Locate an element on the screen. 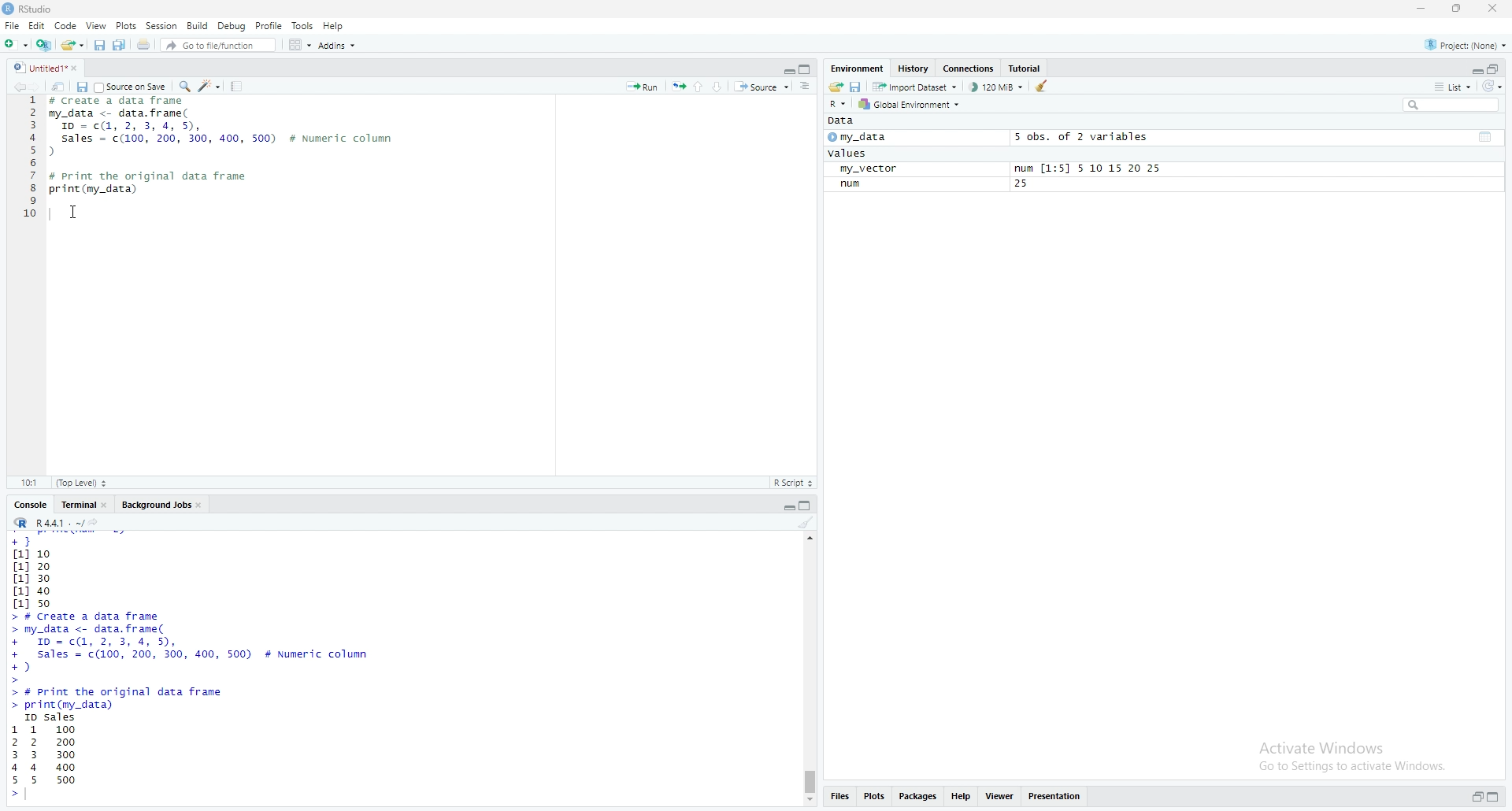 The height and width of the screenshot is (811, 1512). addins is located at coordinates (336, 45).